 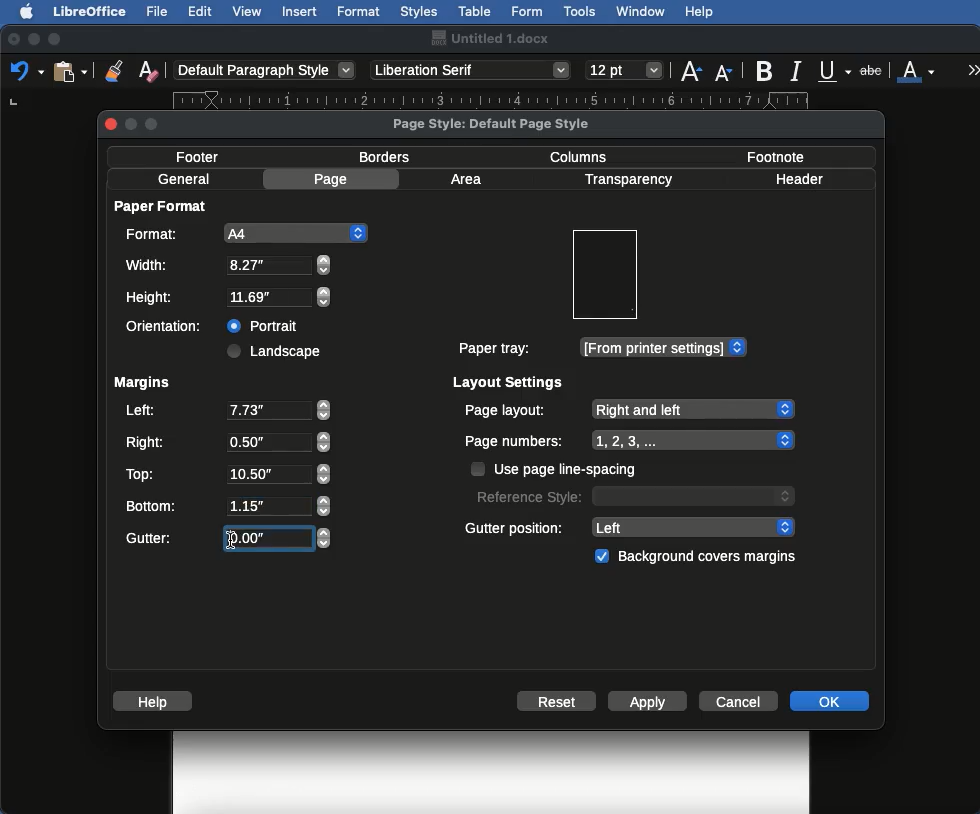 I want to click on Insert, so click(x=300, y=11).